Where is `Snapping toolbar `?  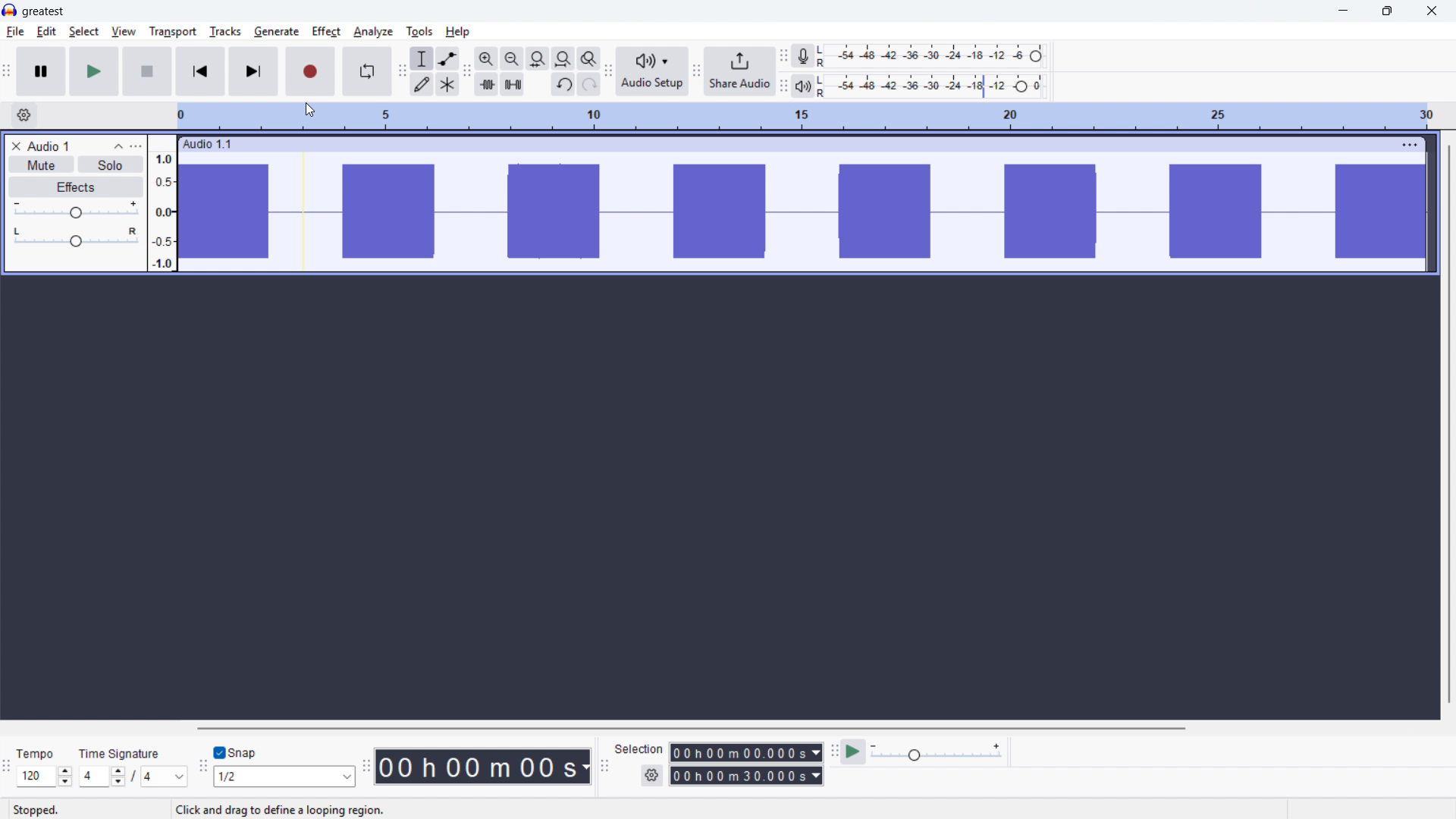
Snapping toolbar  is located at coordinates (200, 768).